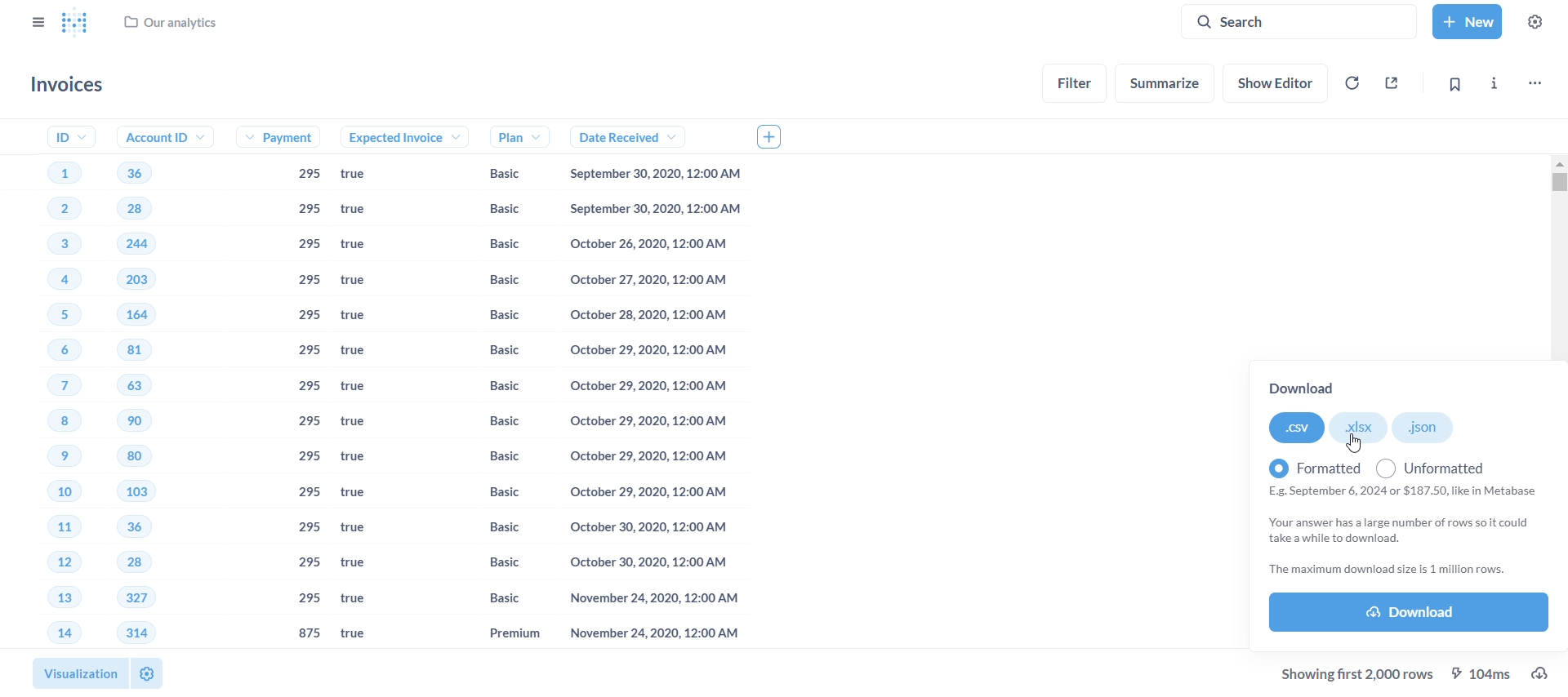 The height and width of the screenshot is (697, 1568). What do you see at coordinates (648, 388) in the screenshot?
I see `October 29,2020, 12:00 AM` at bounding box center [648, 388].